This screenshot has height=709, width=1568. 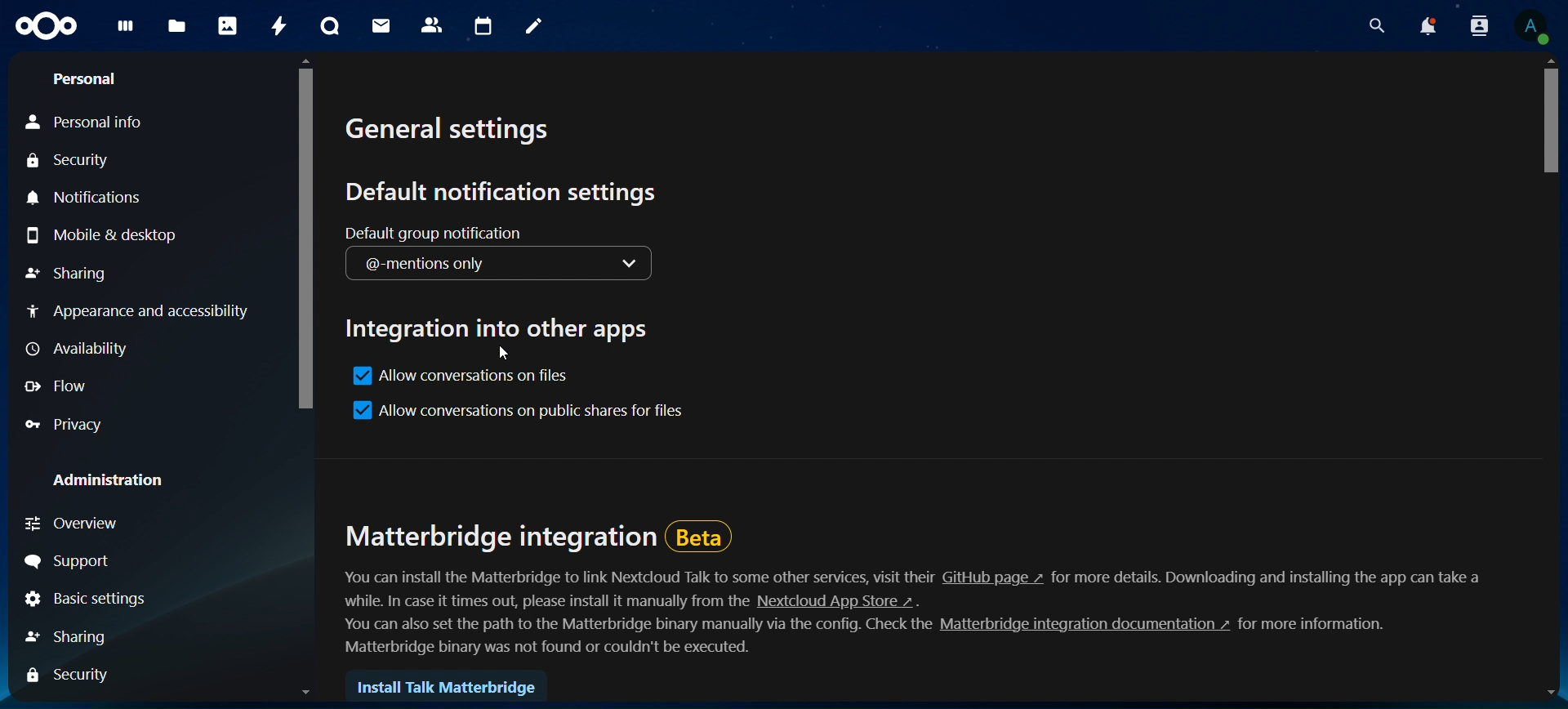 I want to click on security, so click(x=73, y=676).